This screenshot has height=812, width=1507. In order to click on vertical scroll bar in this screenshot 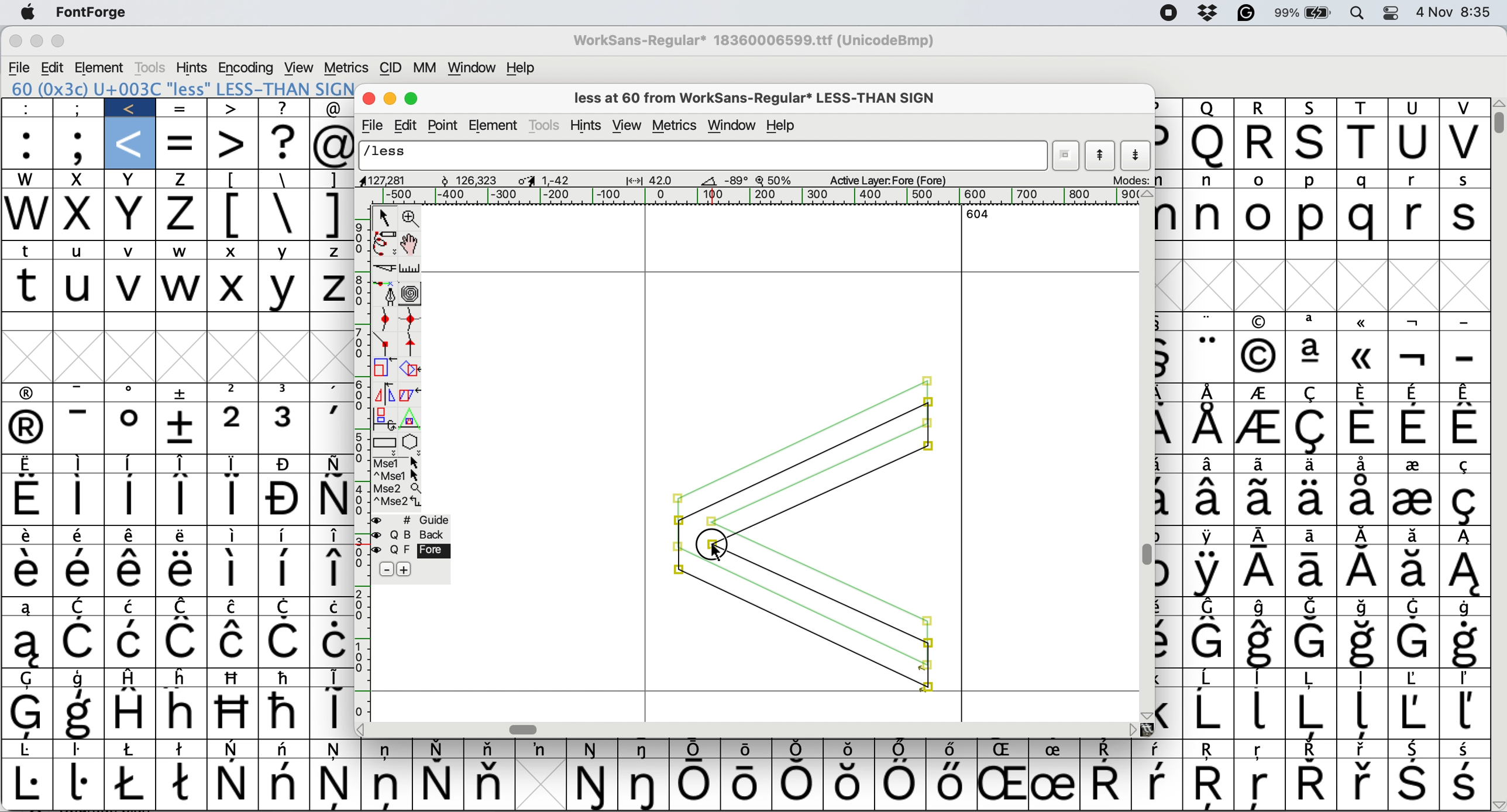, I will do `click(1498, 120)`.